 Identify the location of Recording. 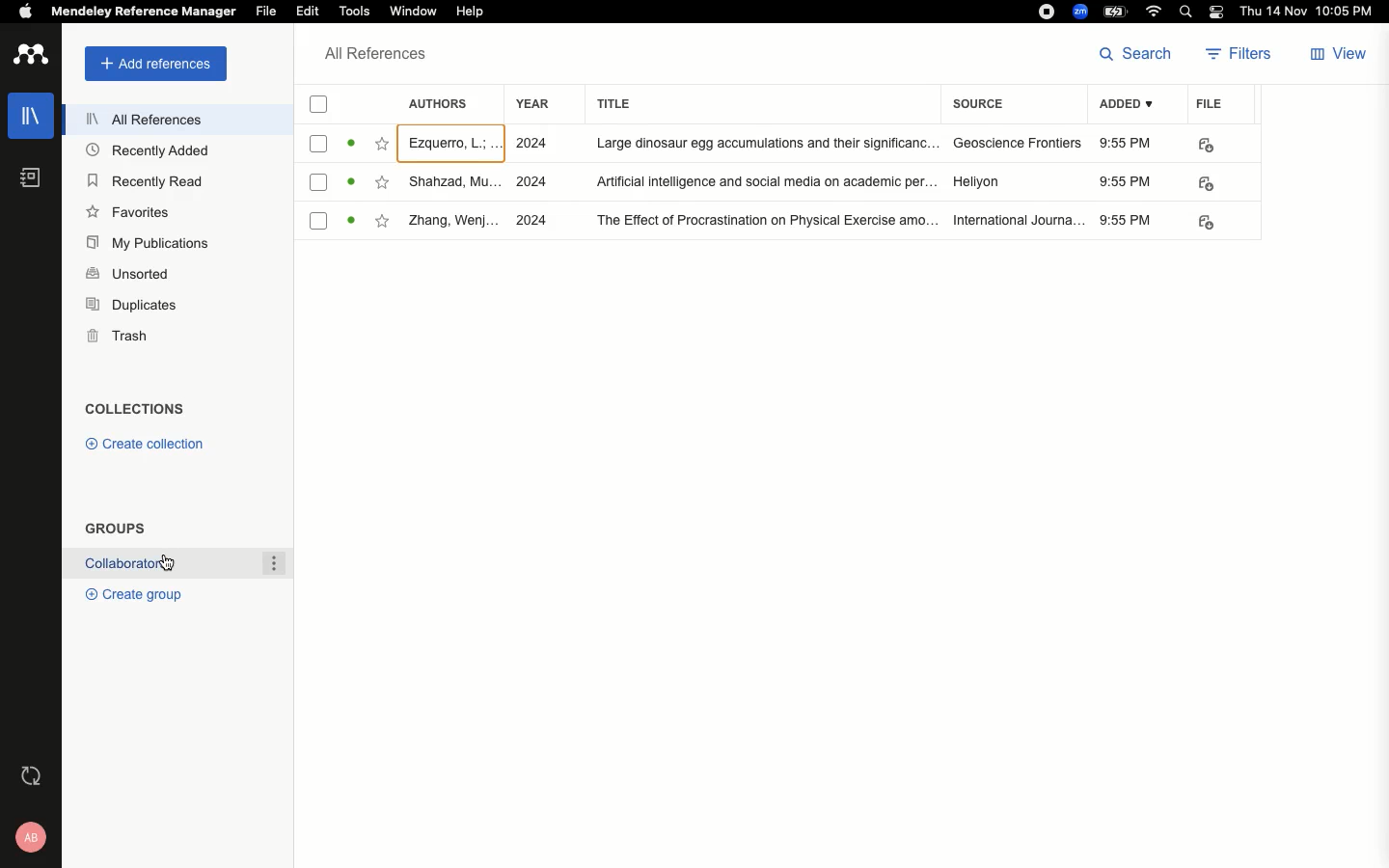
(1047, 12).